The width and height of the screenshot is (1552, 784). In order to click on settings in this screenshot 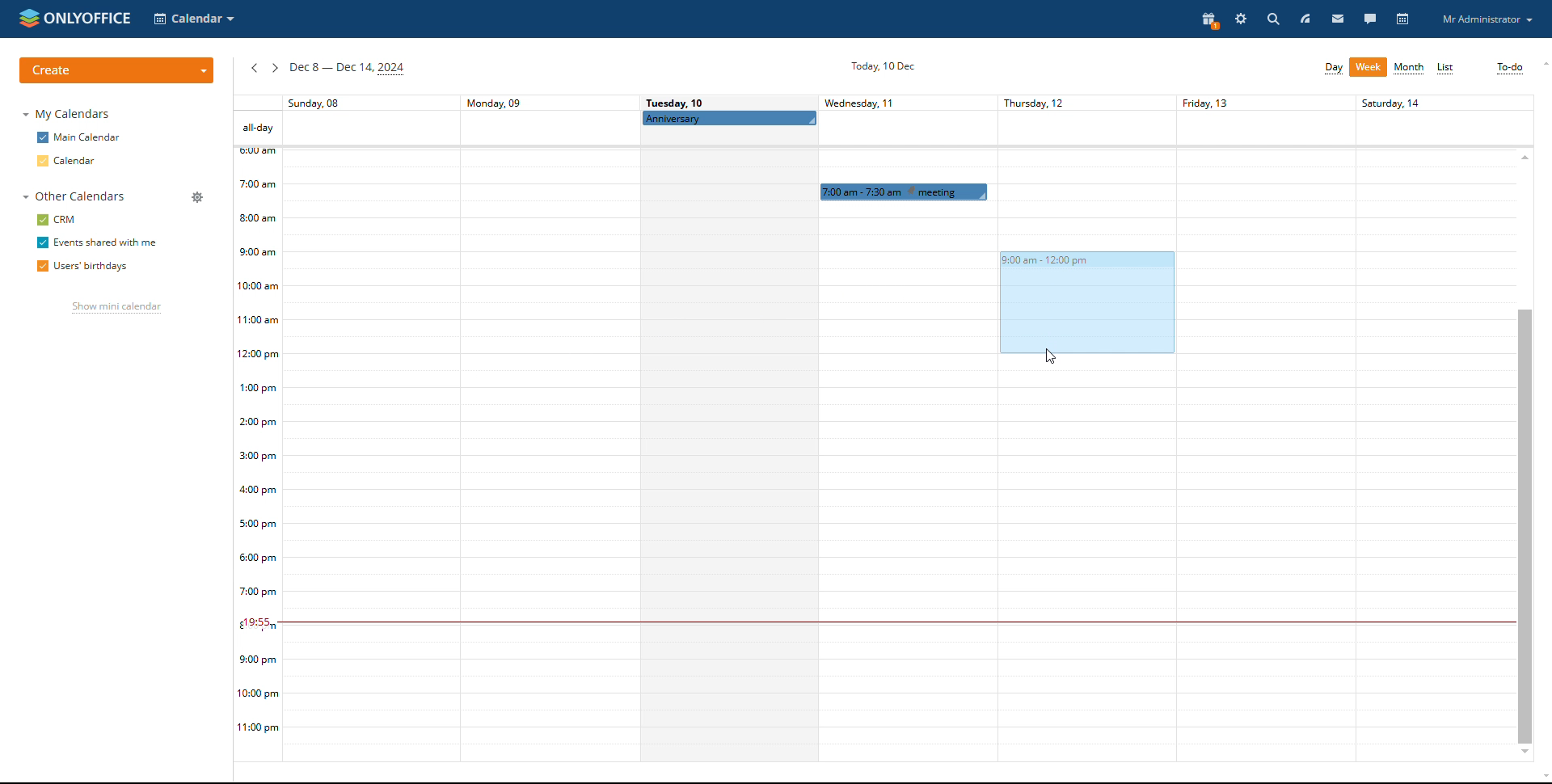, I will do `click(1240, 19)`.